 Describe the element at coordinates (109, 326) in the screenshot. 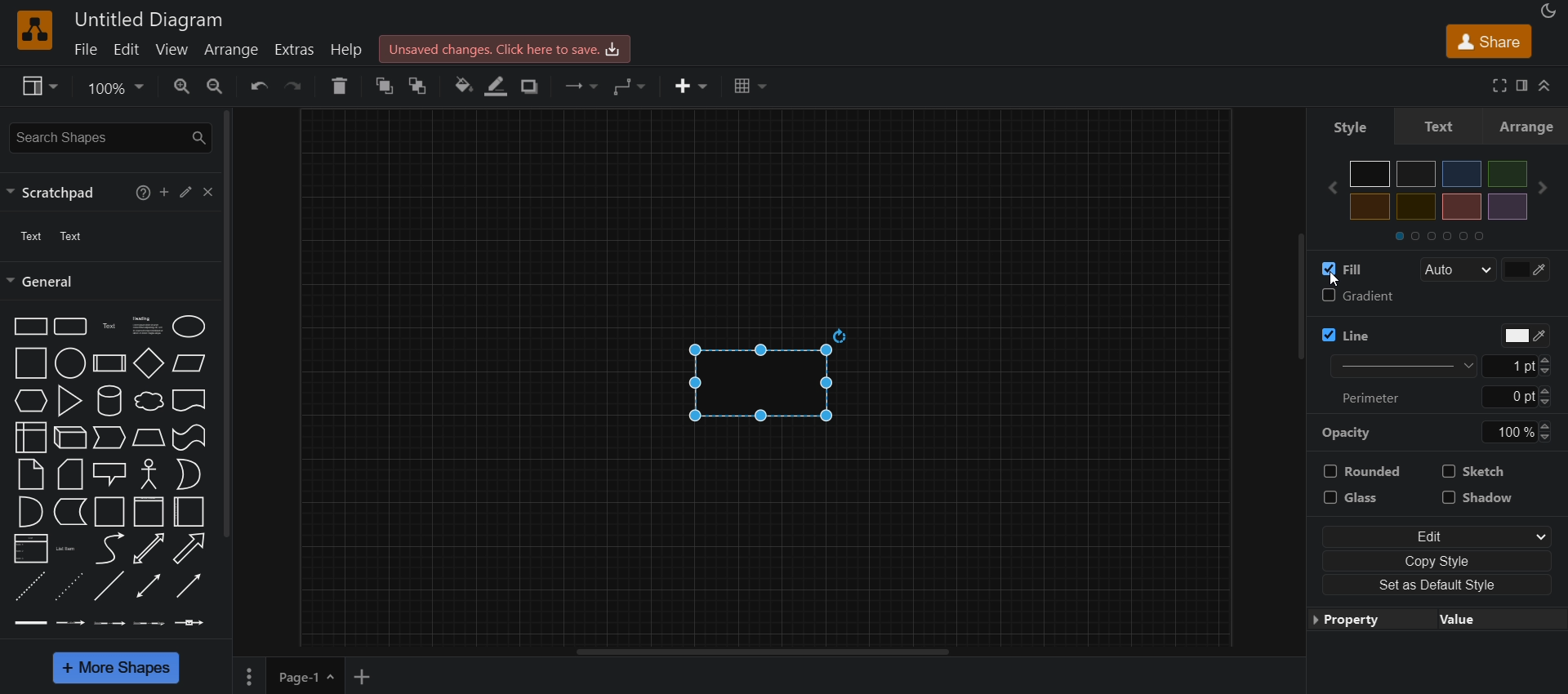

I see `text` at that location.